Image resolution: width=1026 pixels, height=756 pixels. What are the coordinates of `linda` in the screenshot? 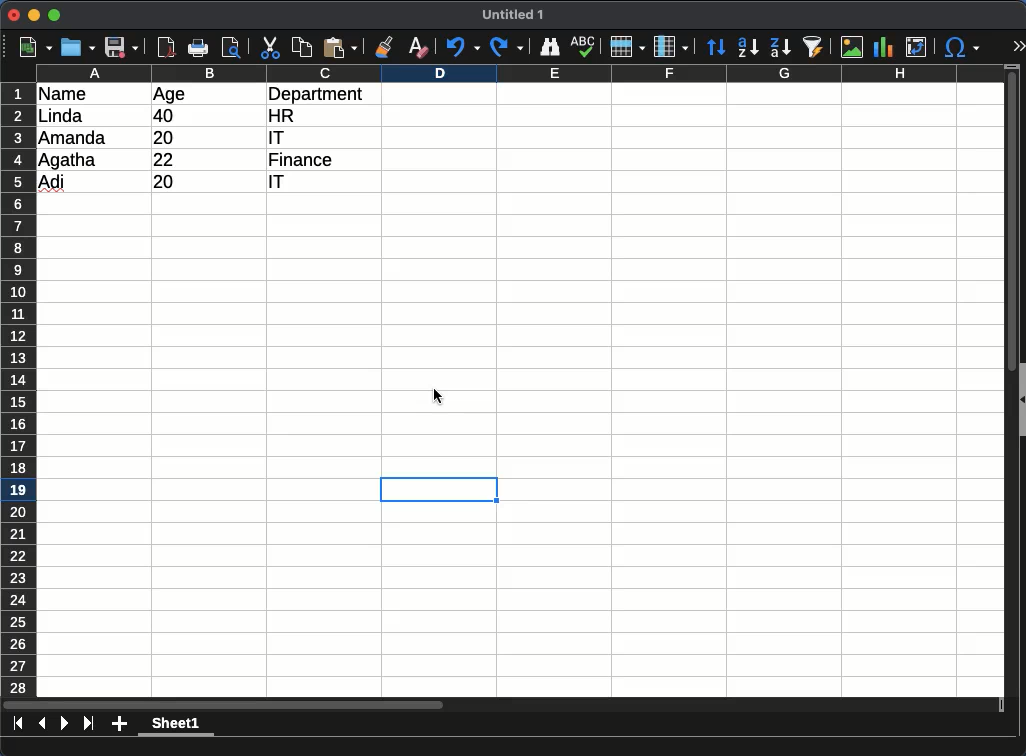 It's located at (59, 116).